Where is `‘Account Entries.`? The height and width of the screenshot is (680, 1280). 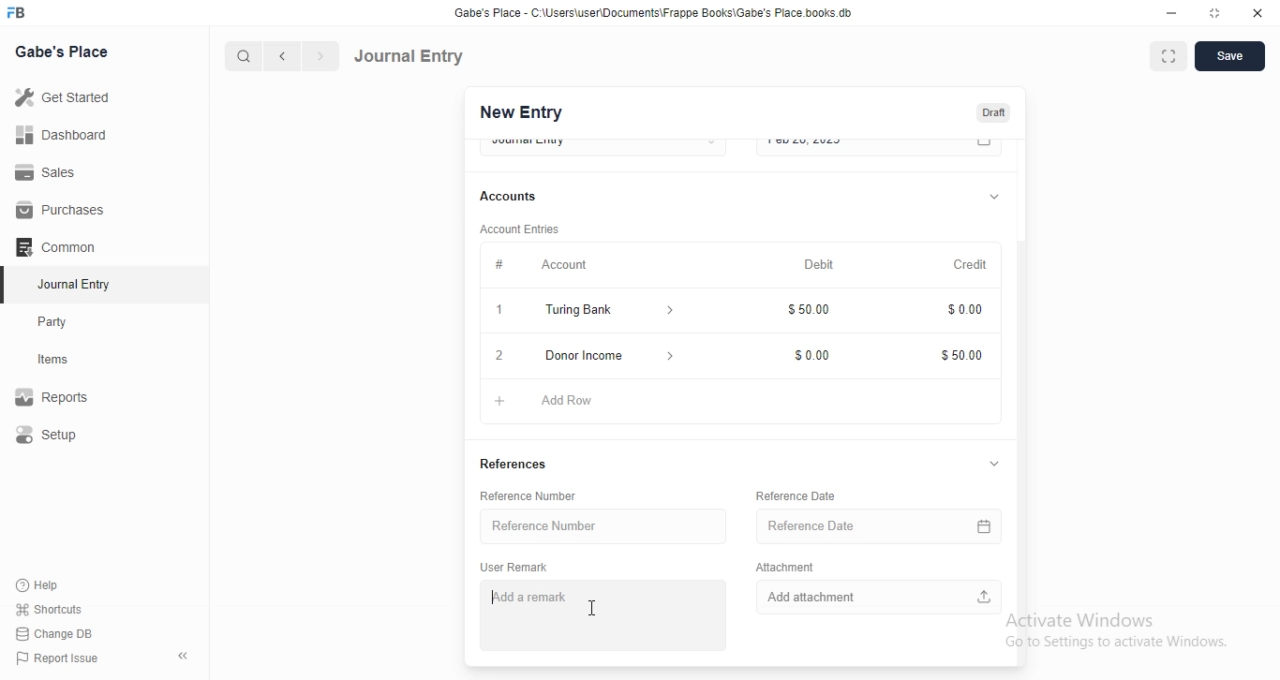
‘Account Entries. is located at coordinates (522, 232).